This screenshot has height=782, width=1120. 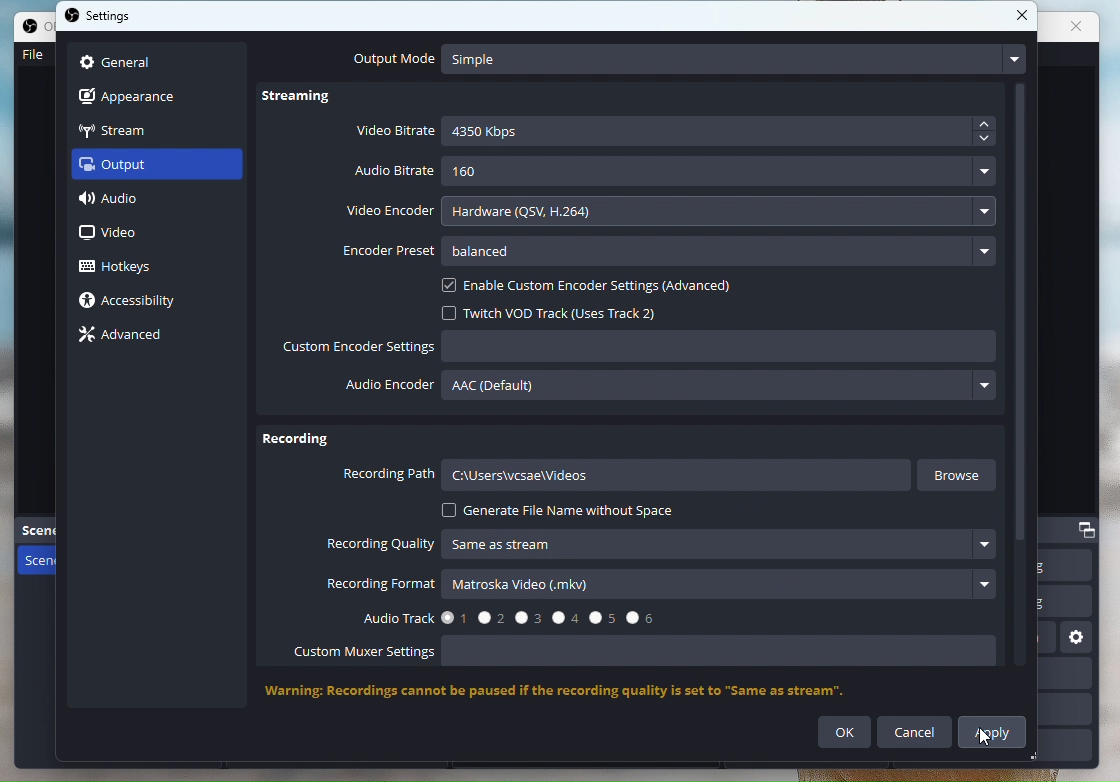 I want to click on settings, so click(x=104, y=18).